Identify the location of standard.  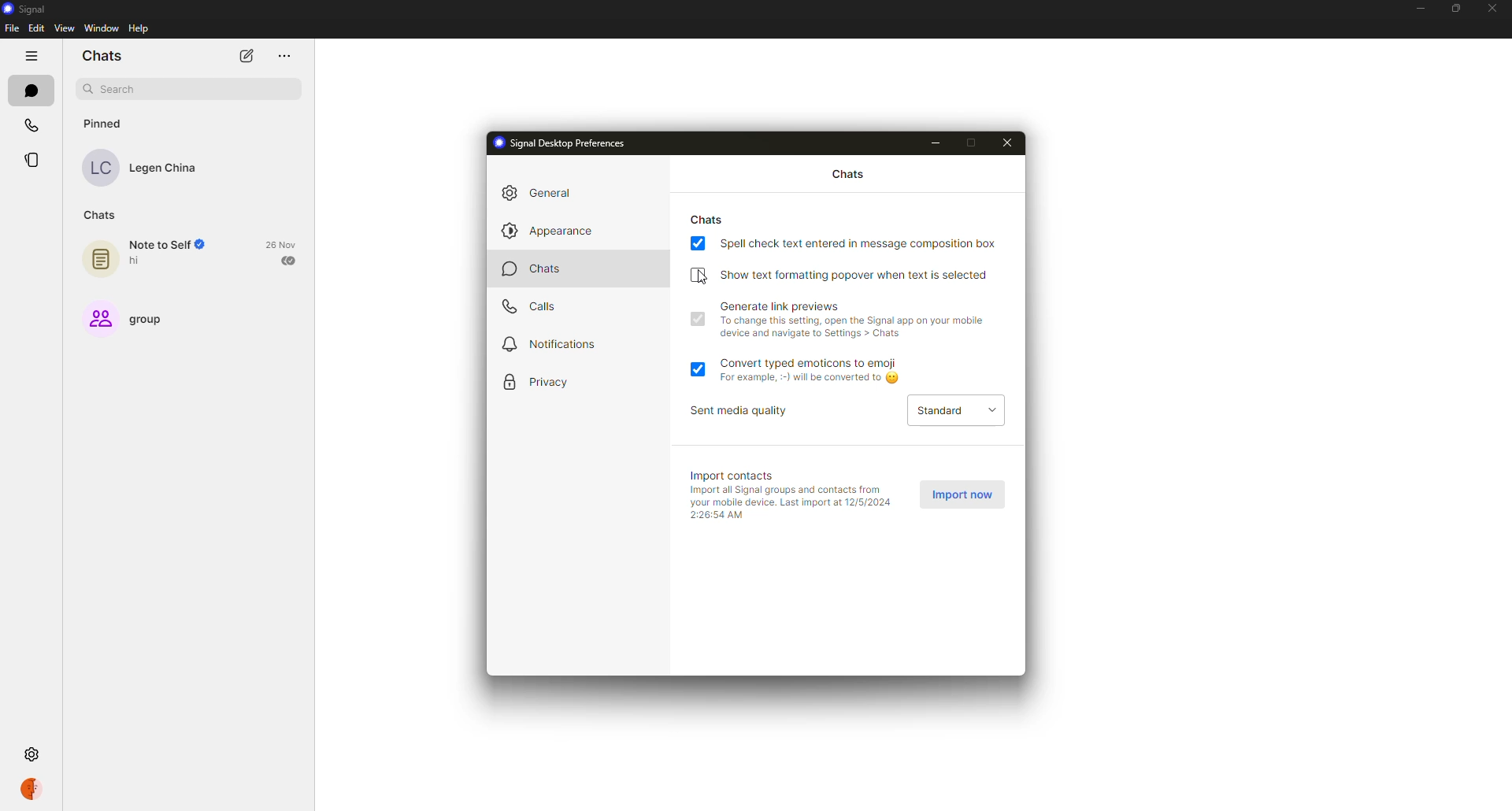
(955, 409).